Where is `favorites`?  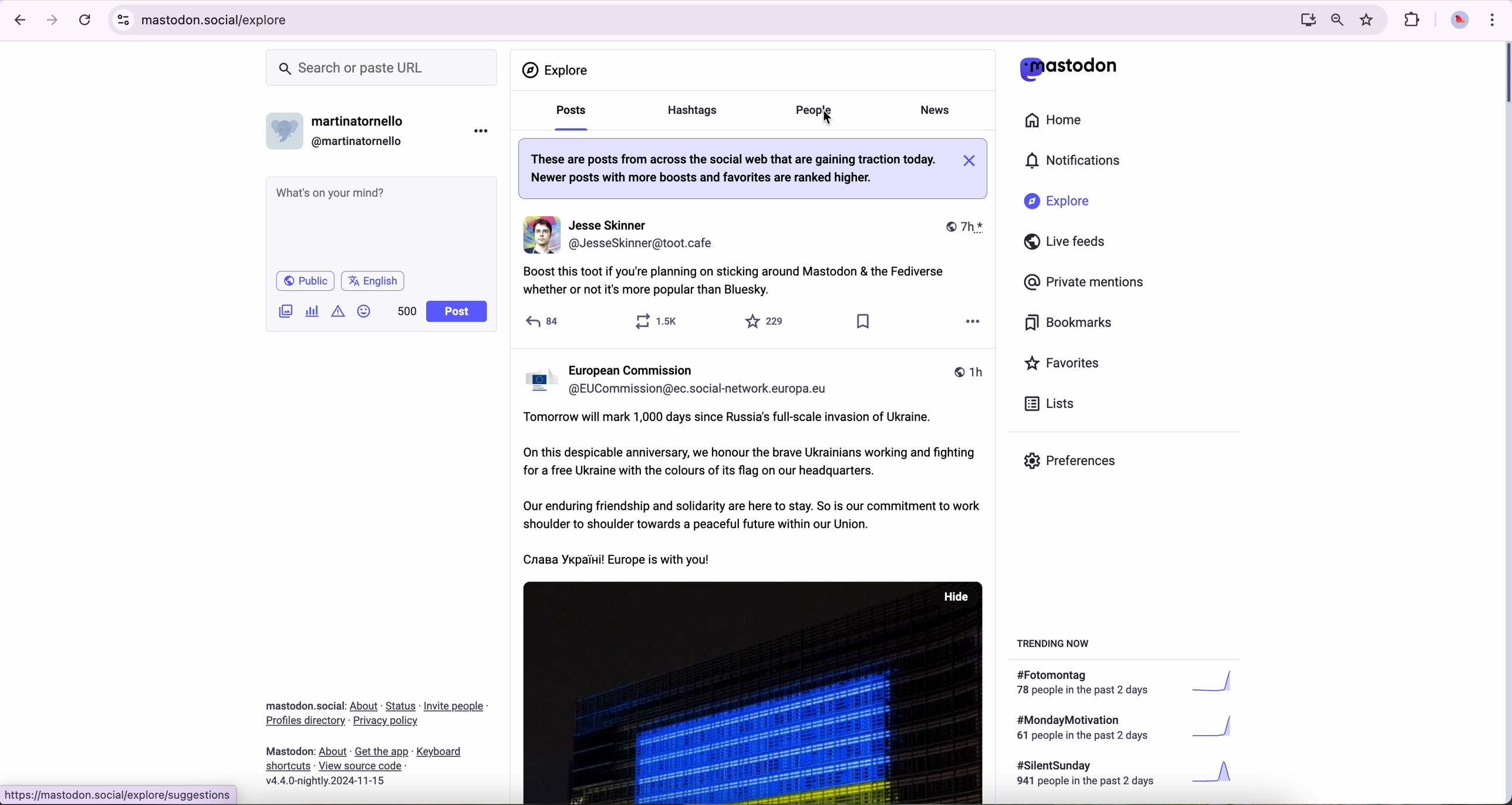
favorites is located at coordinates (1369, 20).